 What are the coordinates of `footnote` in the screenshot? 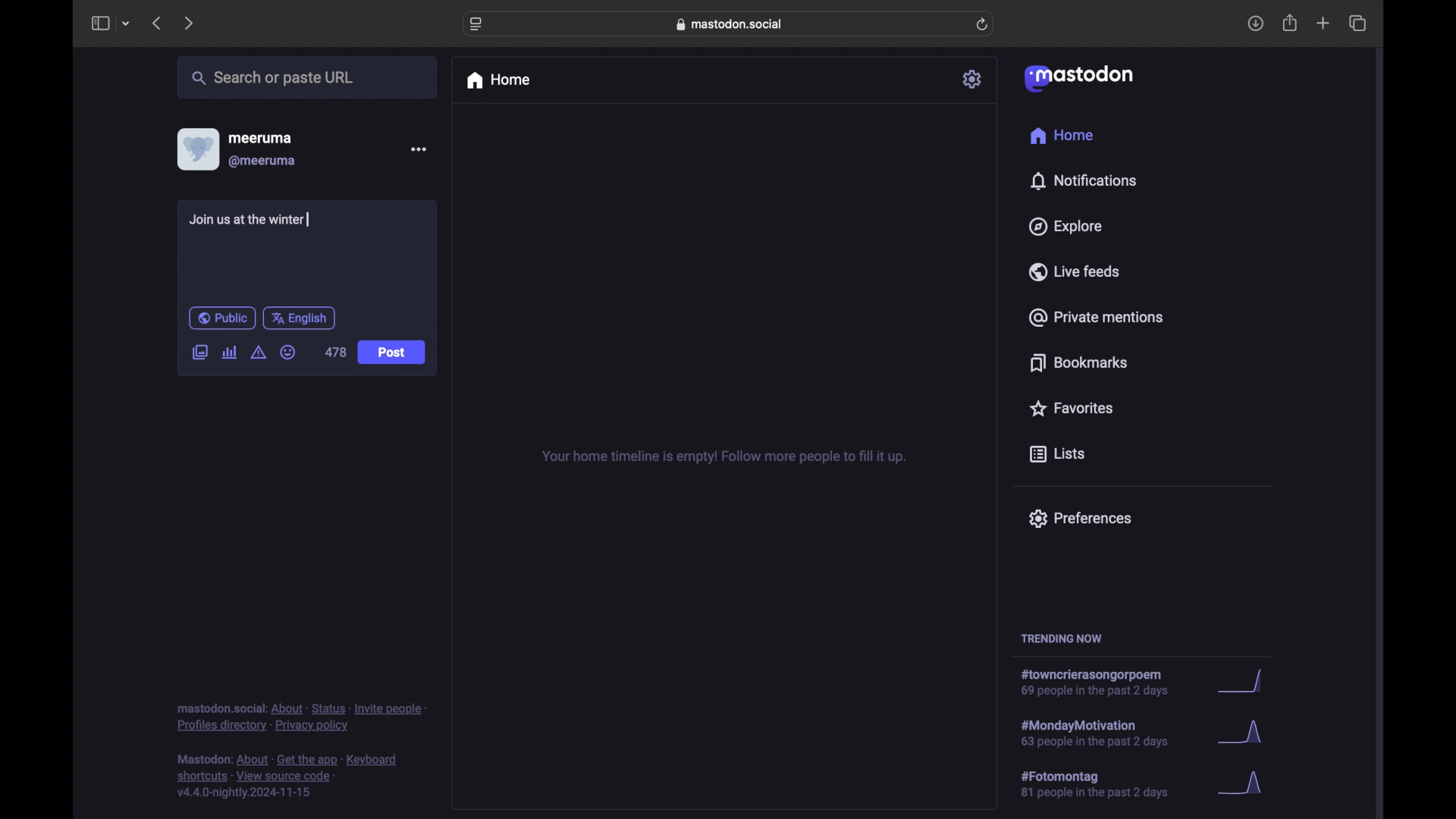 It's located at (302, 717).